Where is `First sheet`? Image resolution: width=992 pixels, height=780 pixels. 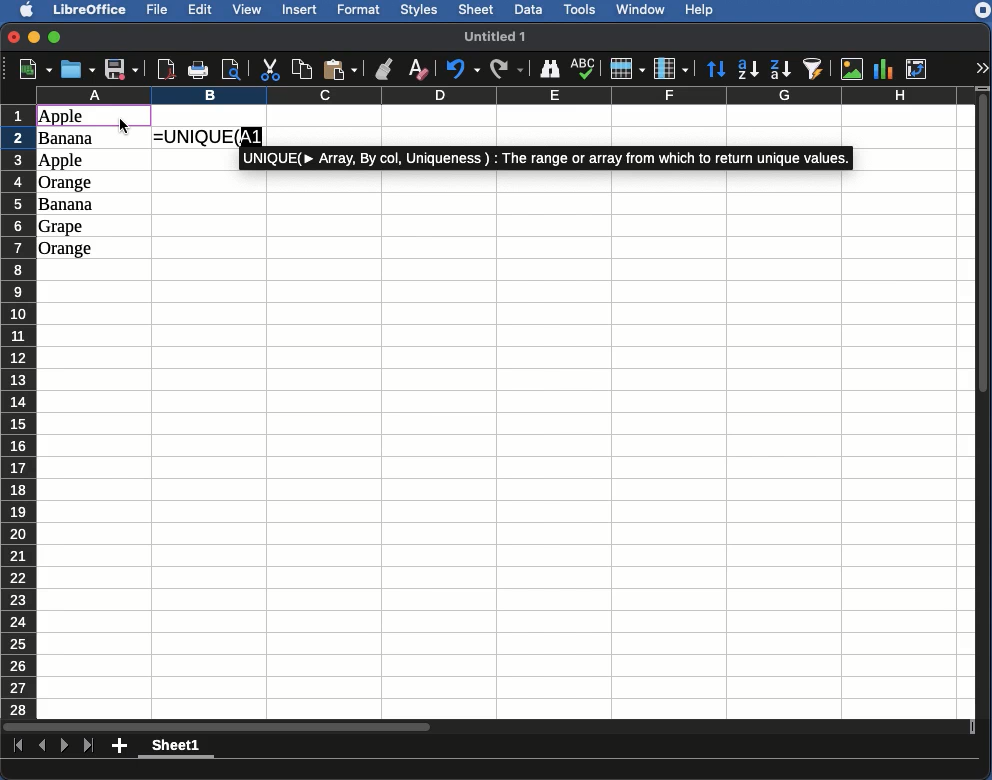
First sheet is located at coordinates (15, 746).